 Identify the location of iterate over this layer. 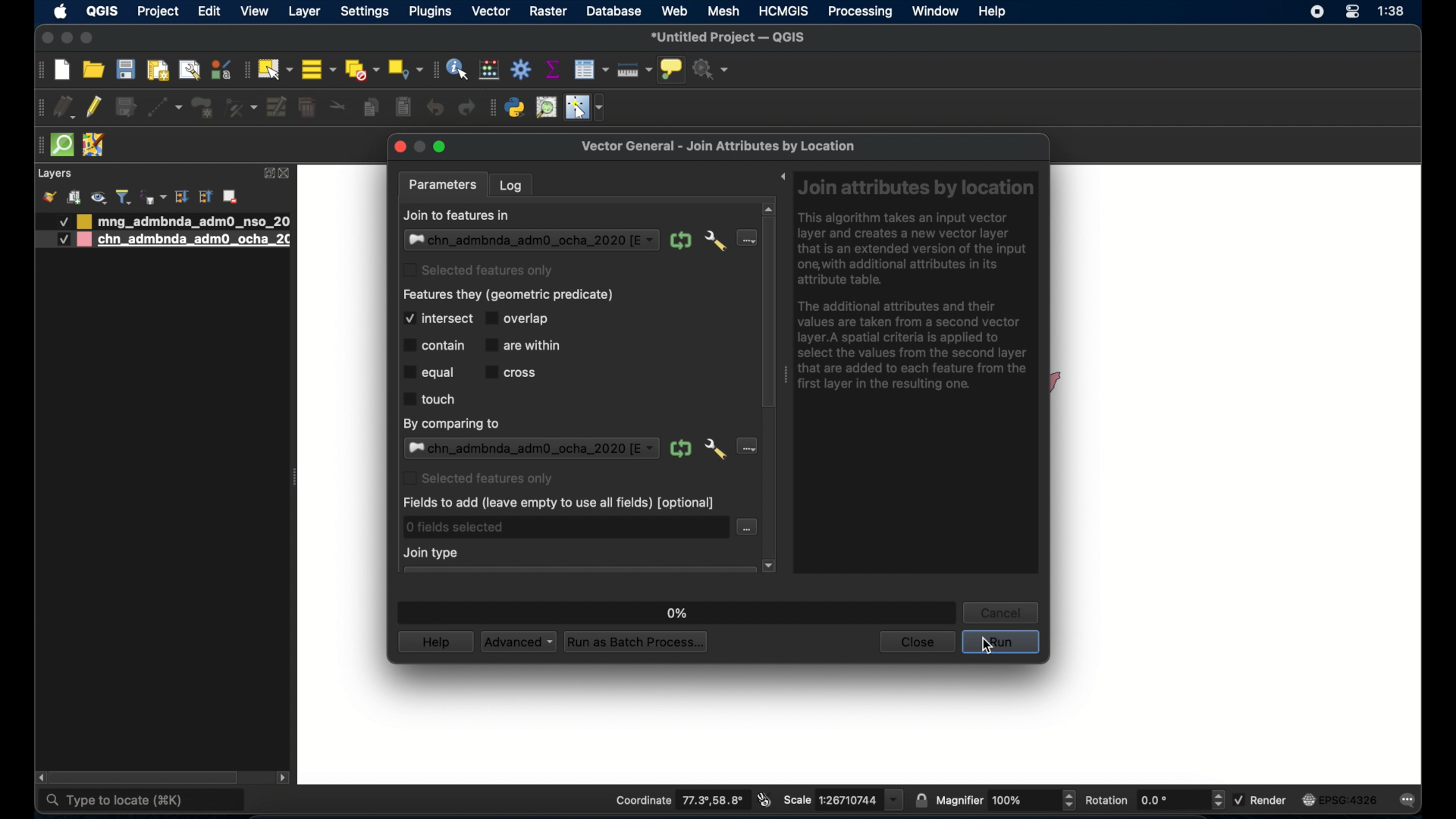
(679, 449).